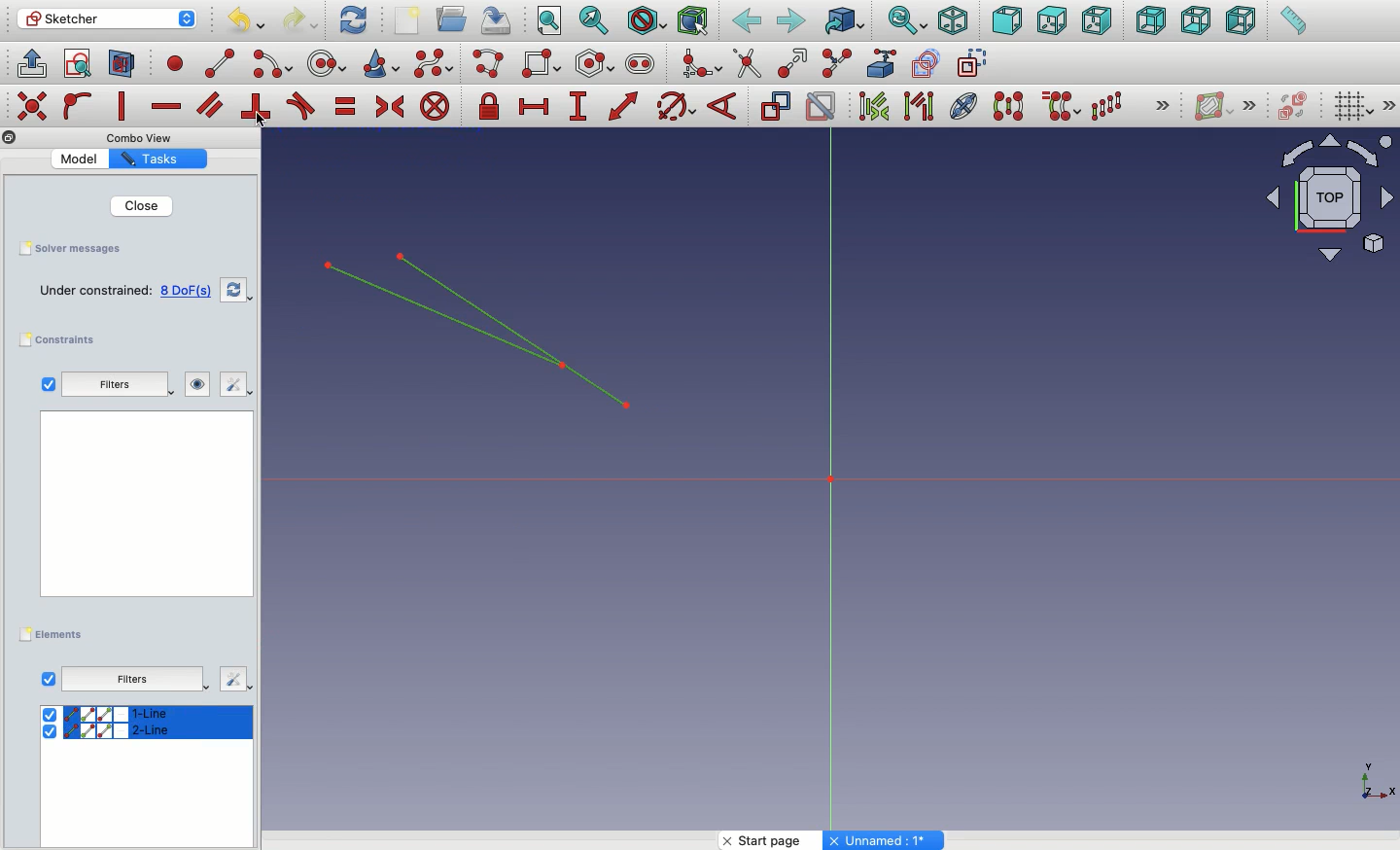 The width and height of the screenshot is (1400, 850). Describe the element at coordinates (1063, 108) in the screenshot. I see `Clone` at that location.